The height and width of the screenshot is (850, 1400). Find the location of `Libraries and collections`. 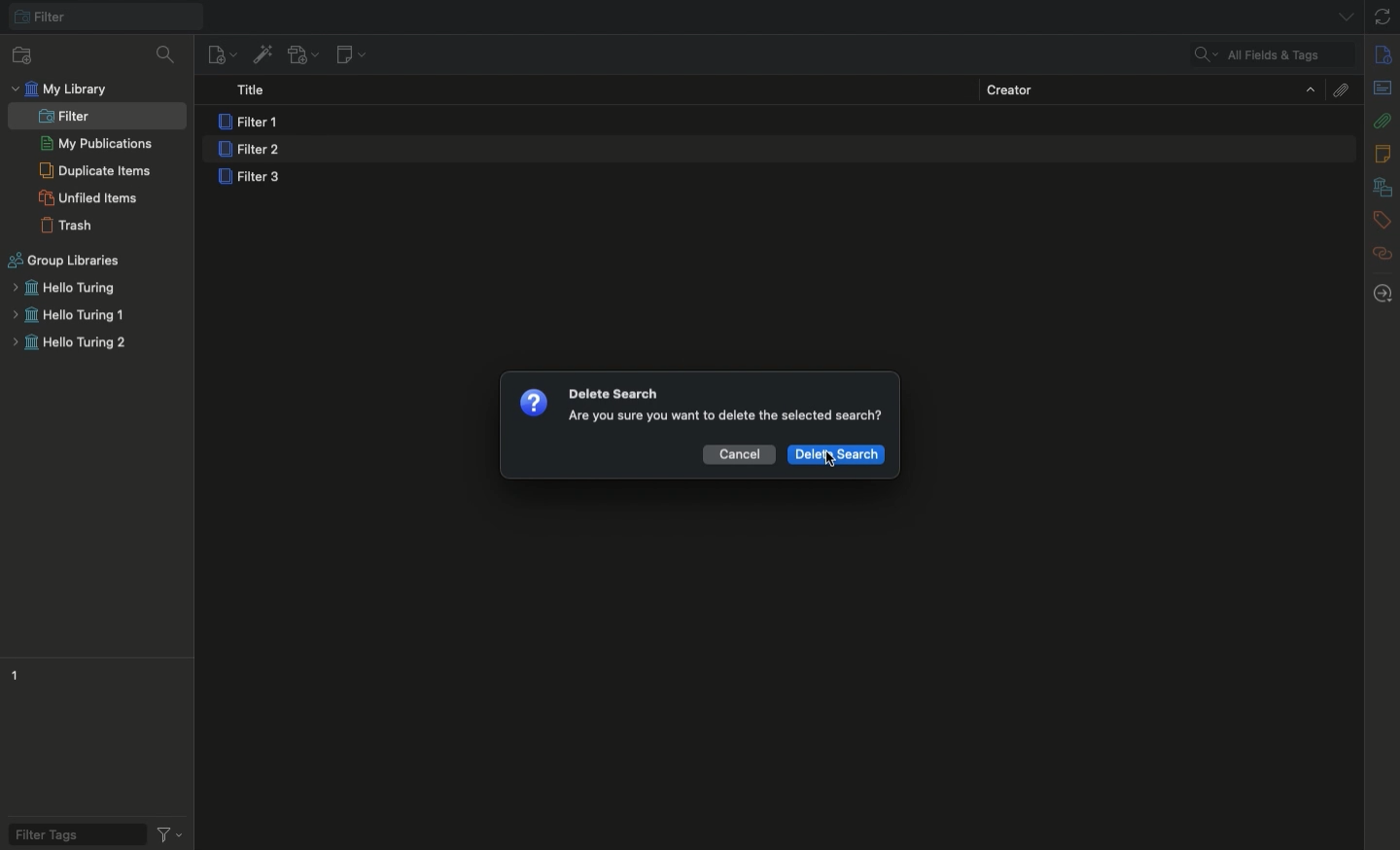

Libraries and collections is located at coordinates (1382, 189).